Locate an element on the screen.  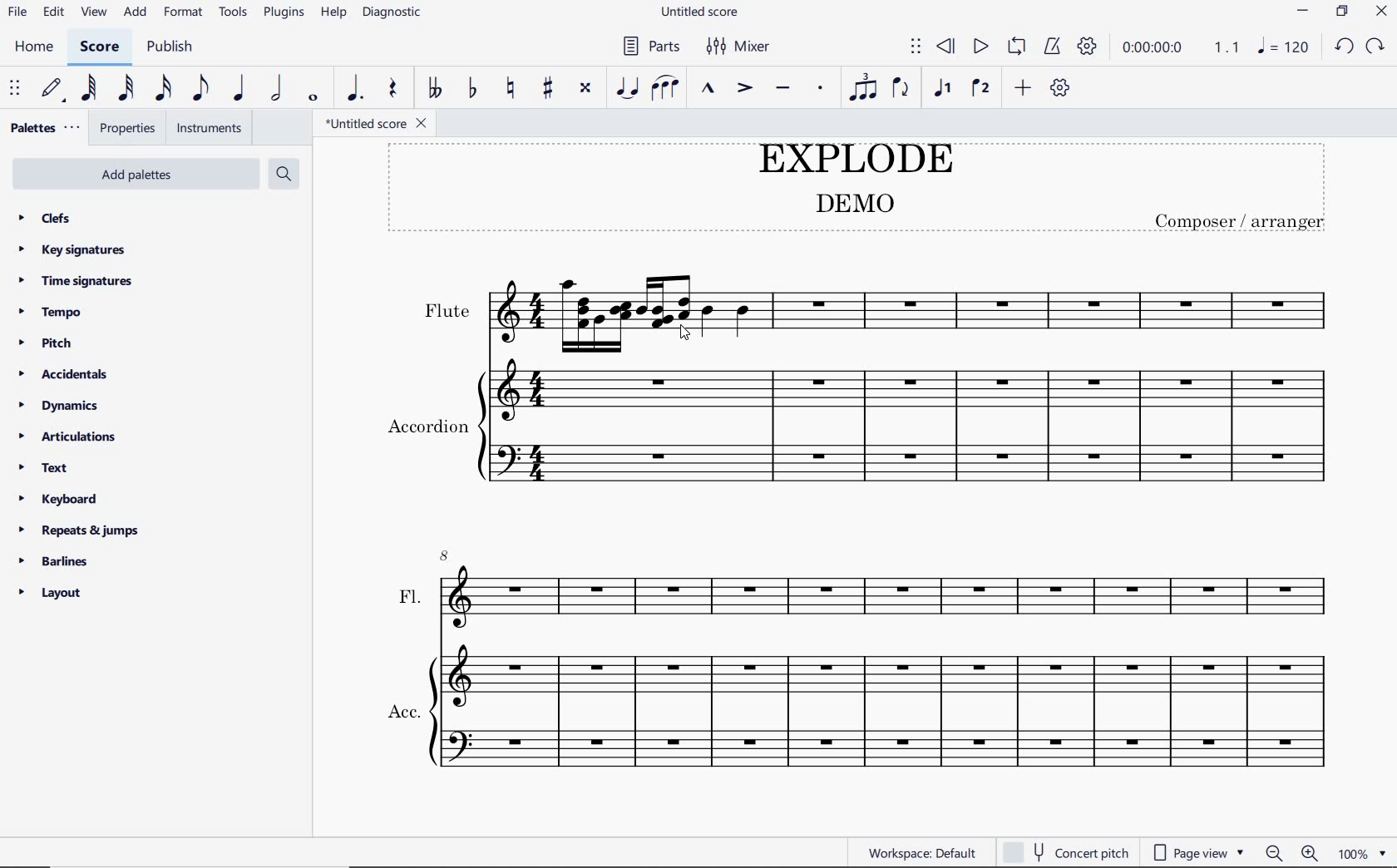
keyboard is located at coordinates (58, 500).